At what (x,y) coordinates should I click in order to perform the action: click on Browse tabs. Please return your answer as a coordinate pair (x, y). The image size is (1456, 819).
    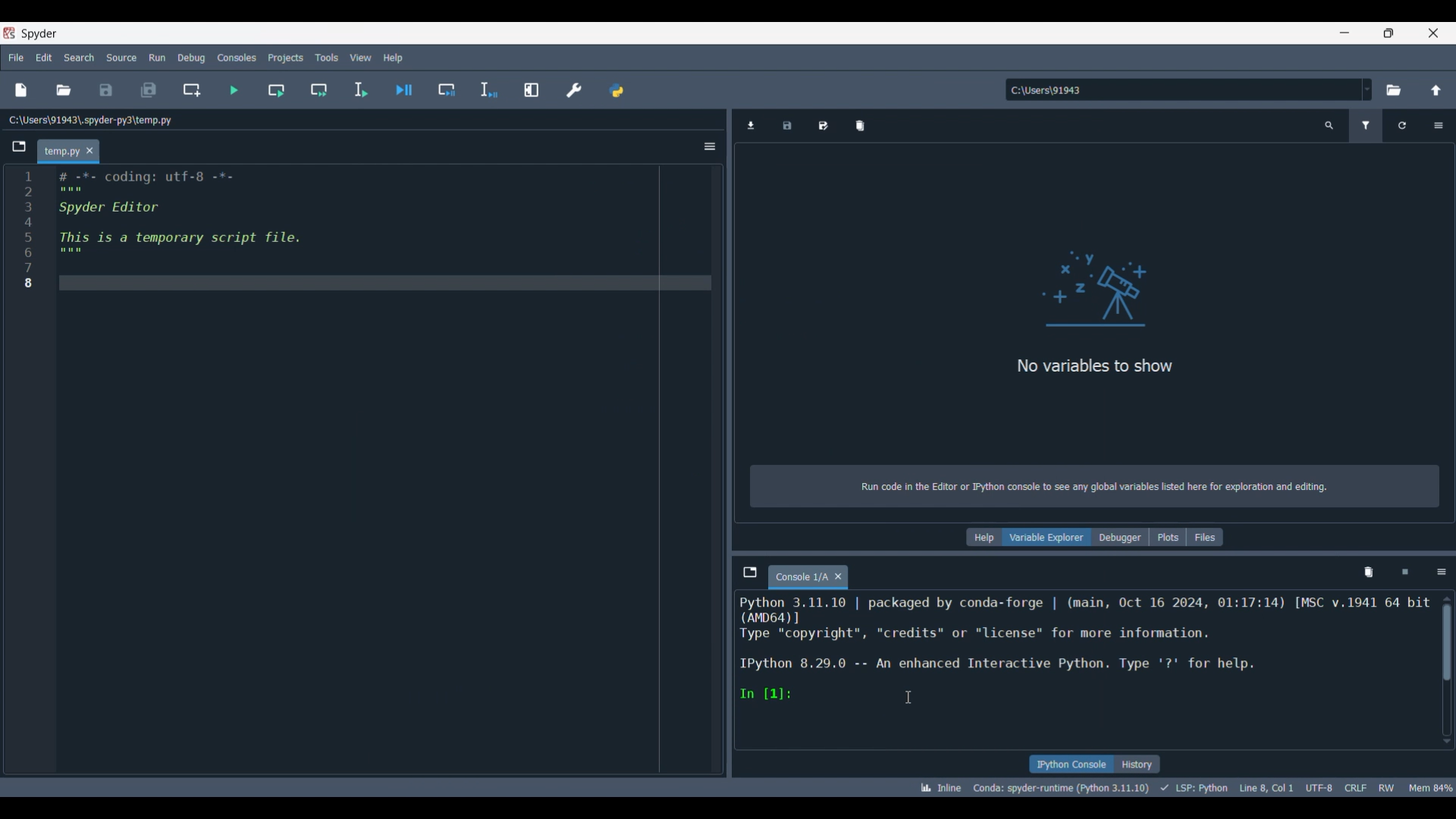
    Looking at the image, I should click on (19, 146).